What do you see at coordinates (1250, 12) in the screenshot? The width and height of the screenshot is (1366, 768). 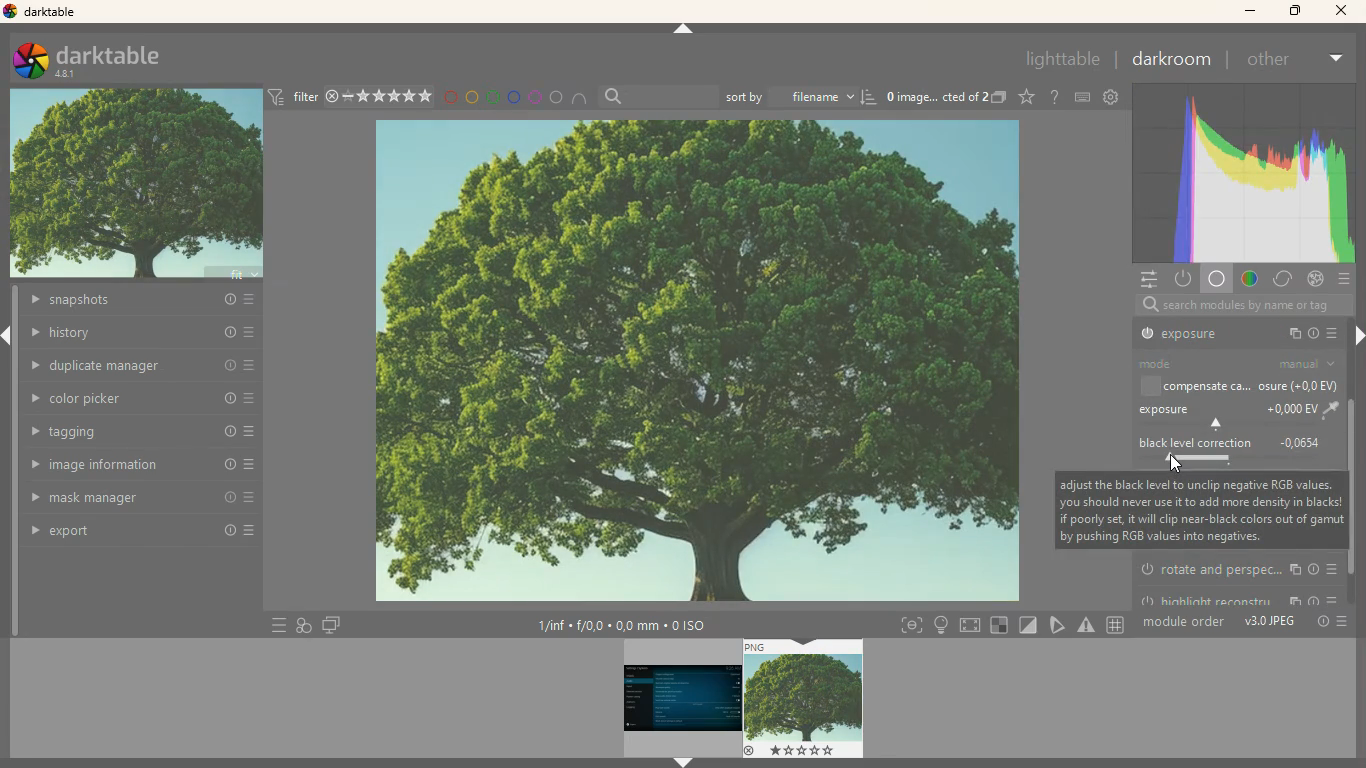 I see `minimize` at bounding box center [1250, 12].